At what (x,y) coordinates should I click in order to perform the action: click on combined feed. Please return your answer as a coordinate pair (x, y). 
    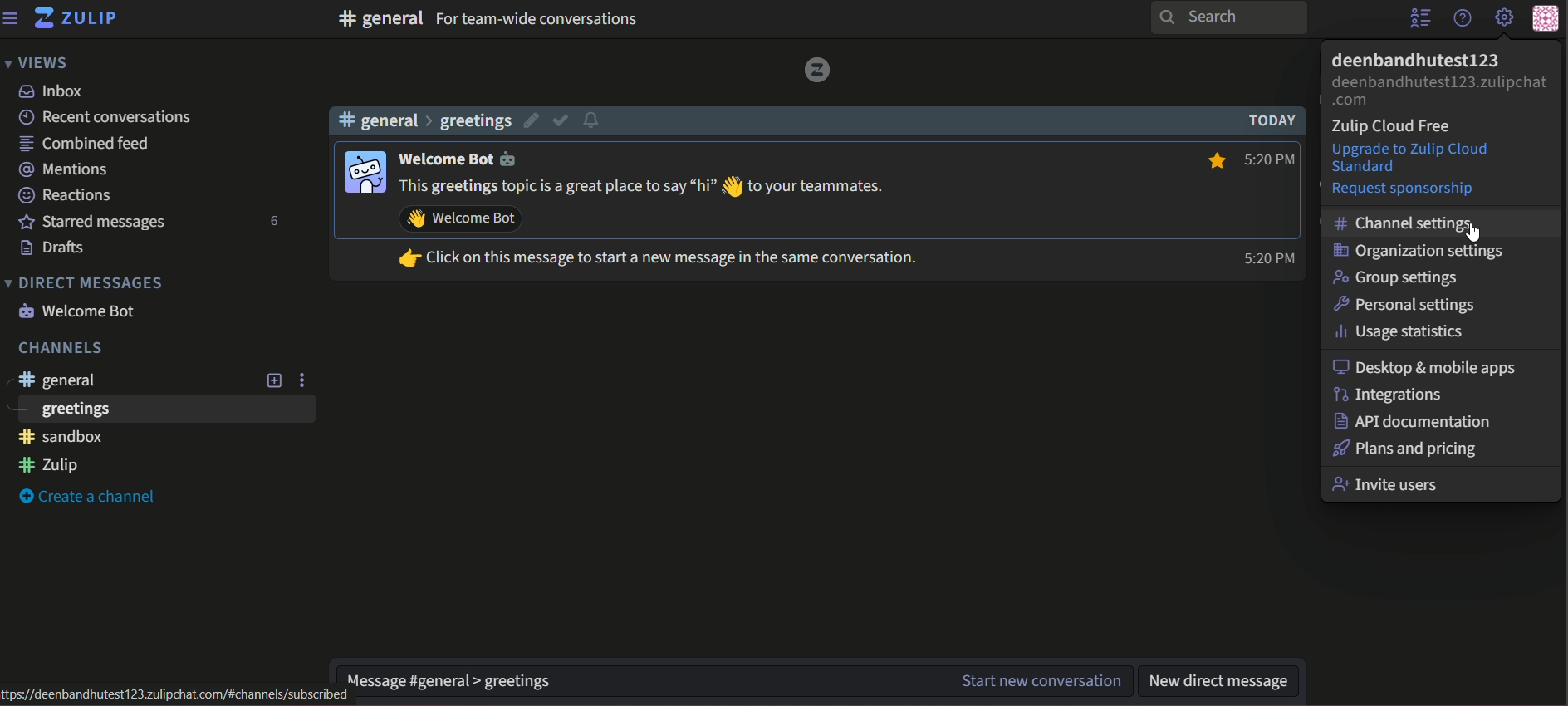
    Looking at the image, I should click on (83, 143).